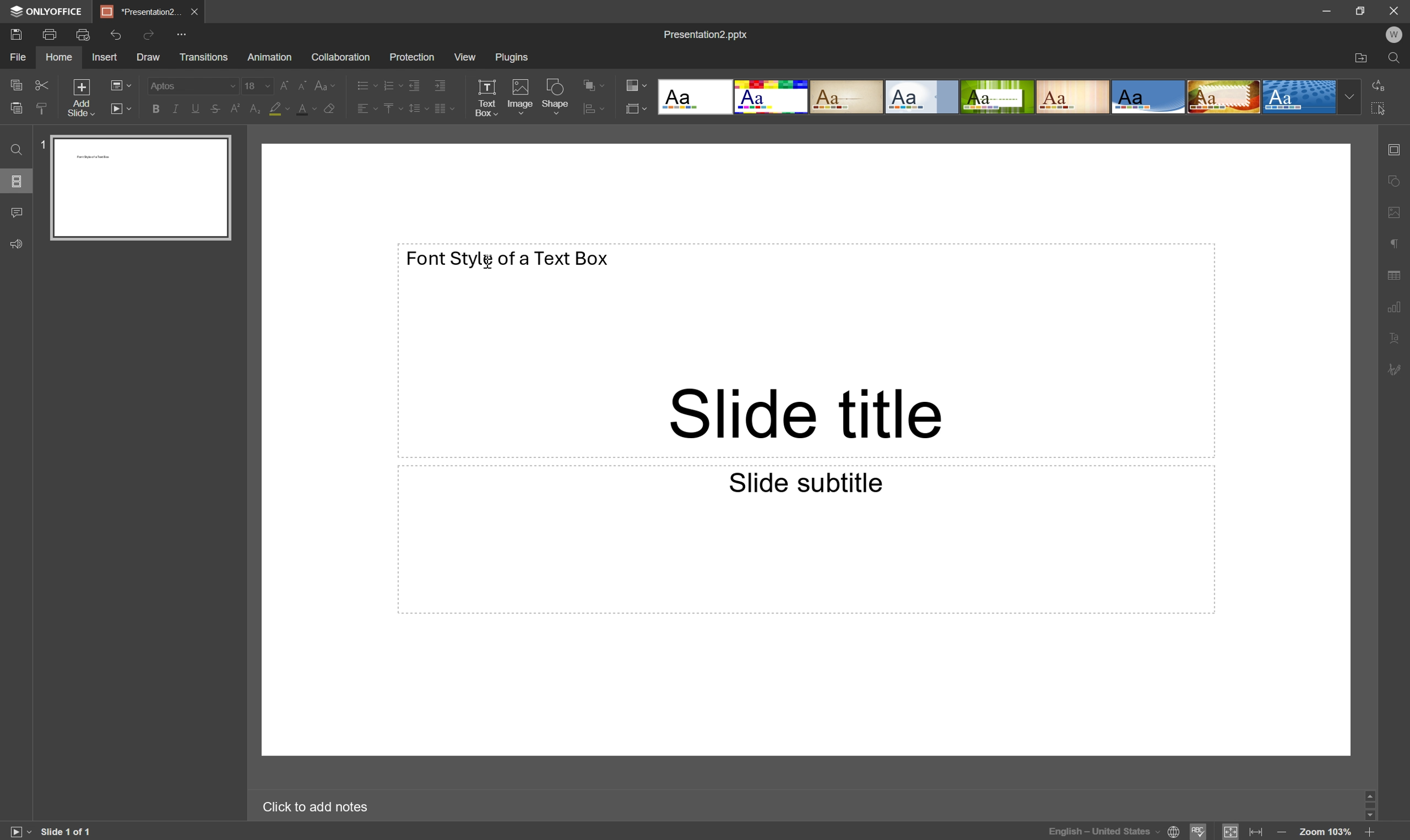  Describe the element at coordinates (1399, 309) in the screenshot. I see `Chart settings` at that location.